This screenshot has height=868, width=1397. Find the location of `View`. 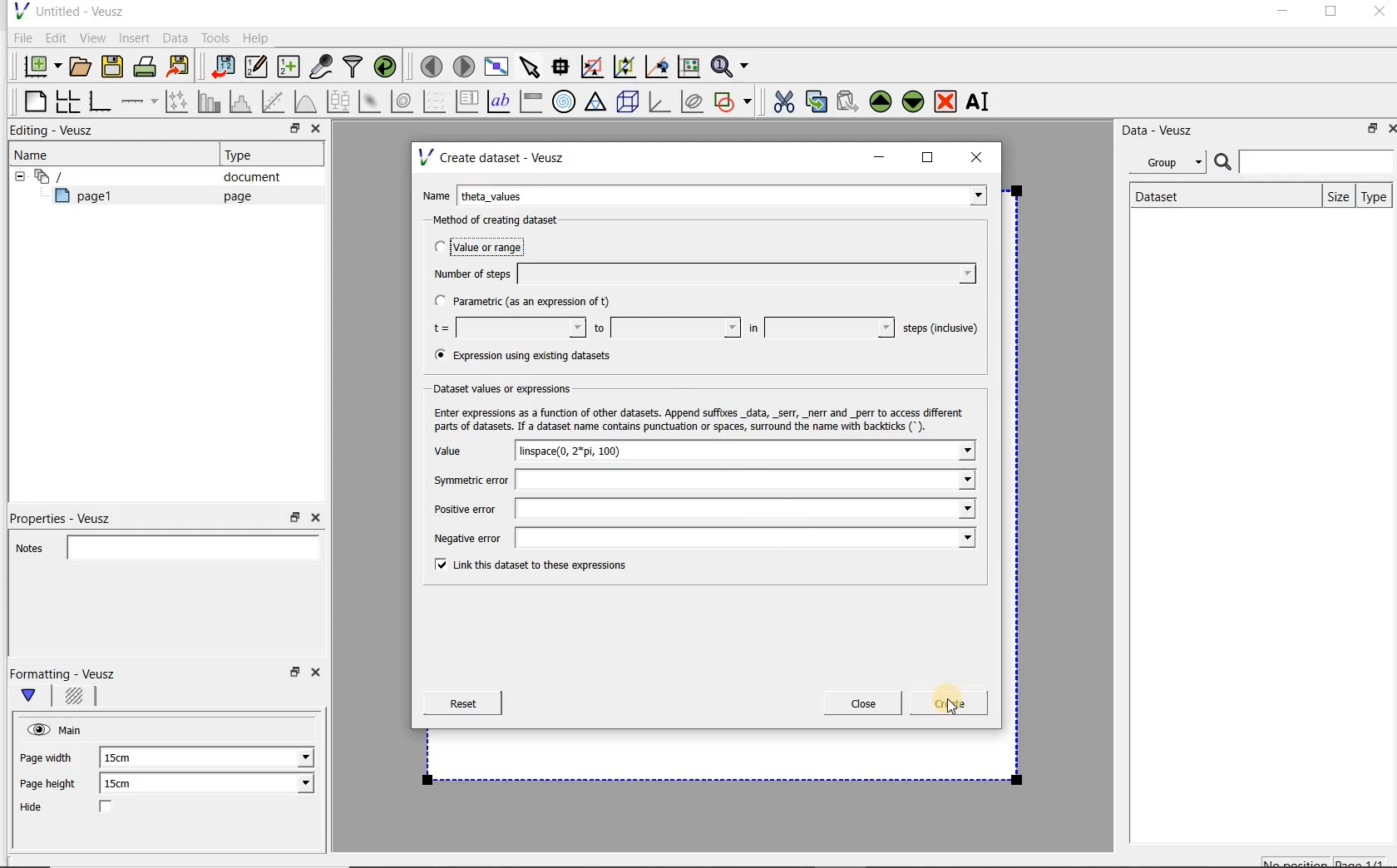

View is located at coordinates (92, 36).